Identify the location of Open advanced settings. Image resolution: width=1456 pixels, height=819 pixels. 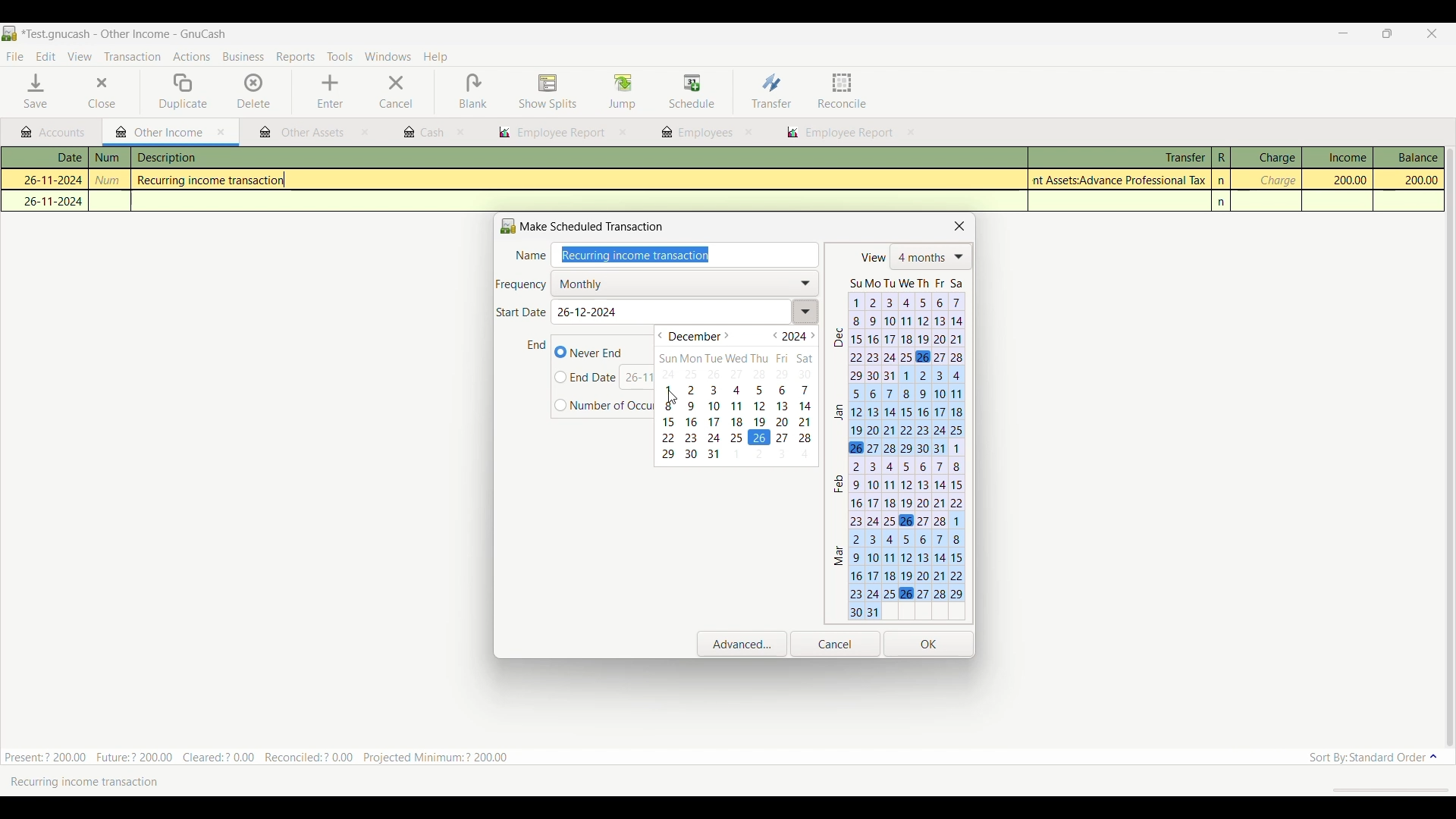
(742, 644).